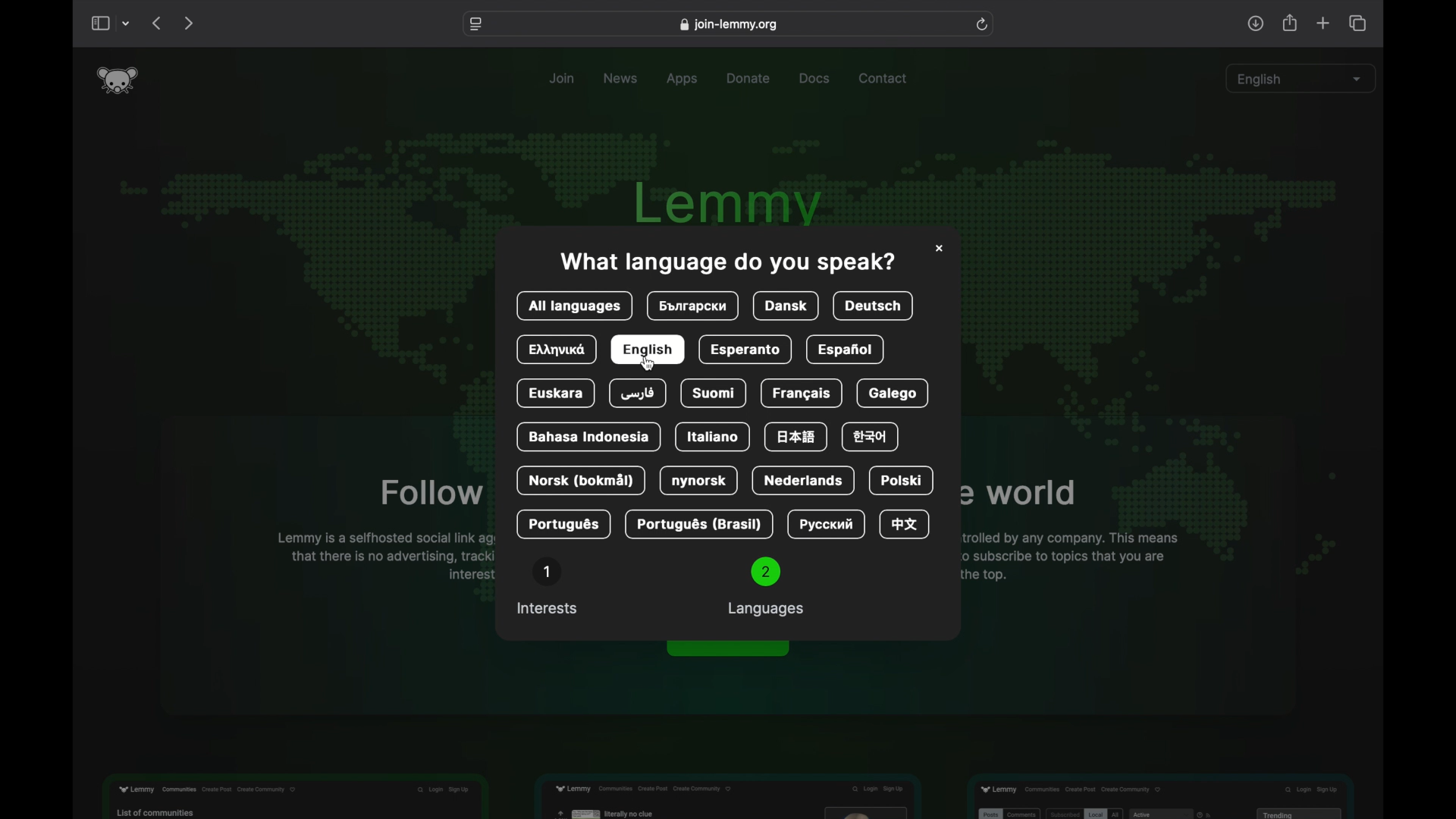 The width and height of the screenshot is (1456, 819). I want to click on bahasa indonesia, so click(587, 437).